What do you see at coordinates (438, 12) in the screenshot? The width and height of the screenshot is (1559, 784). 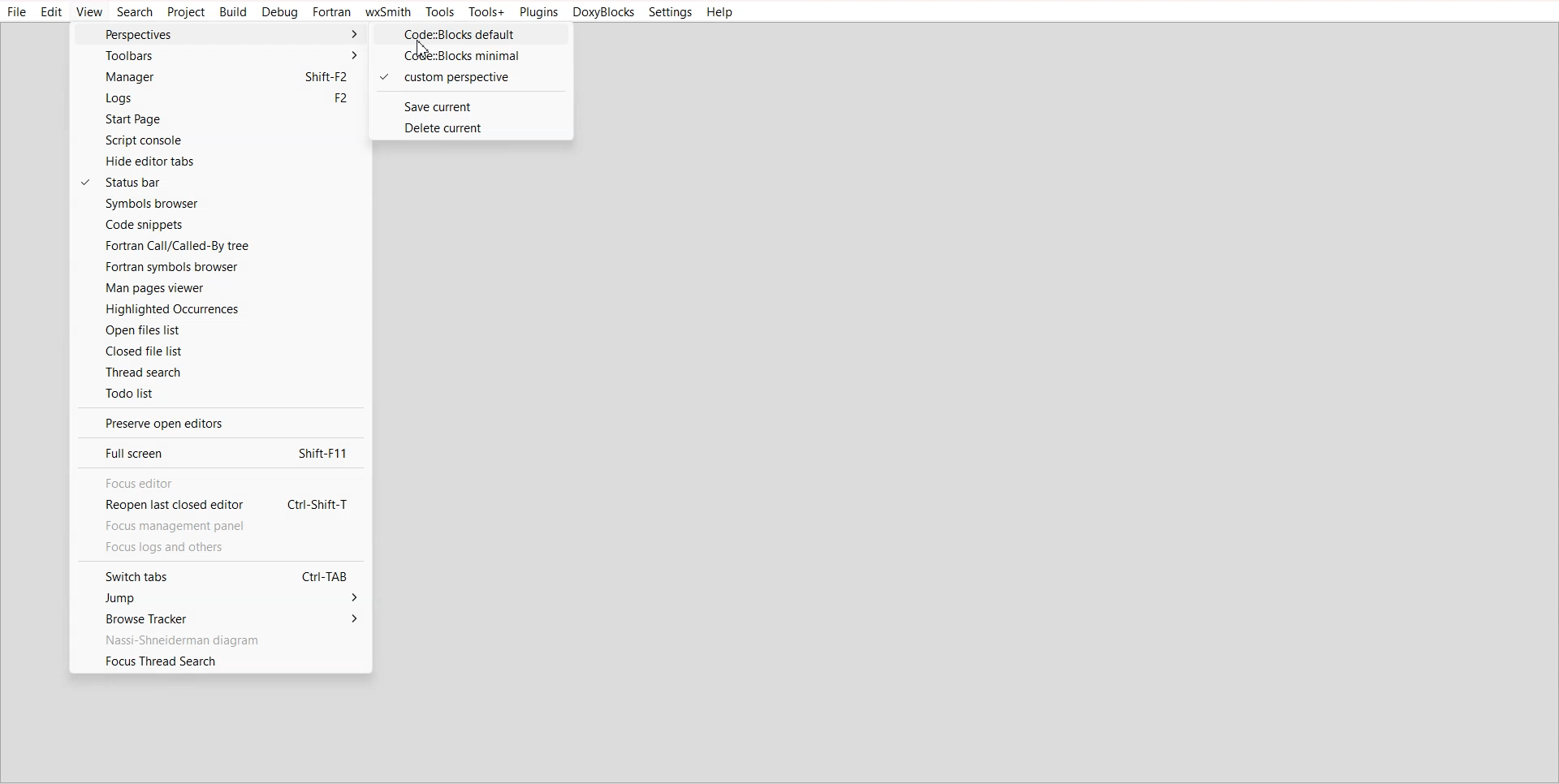 I see `Tools` at bounding box center [438, 12].